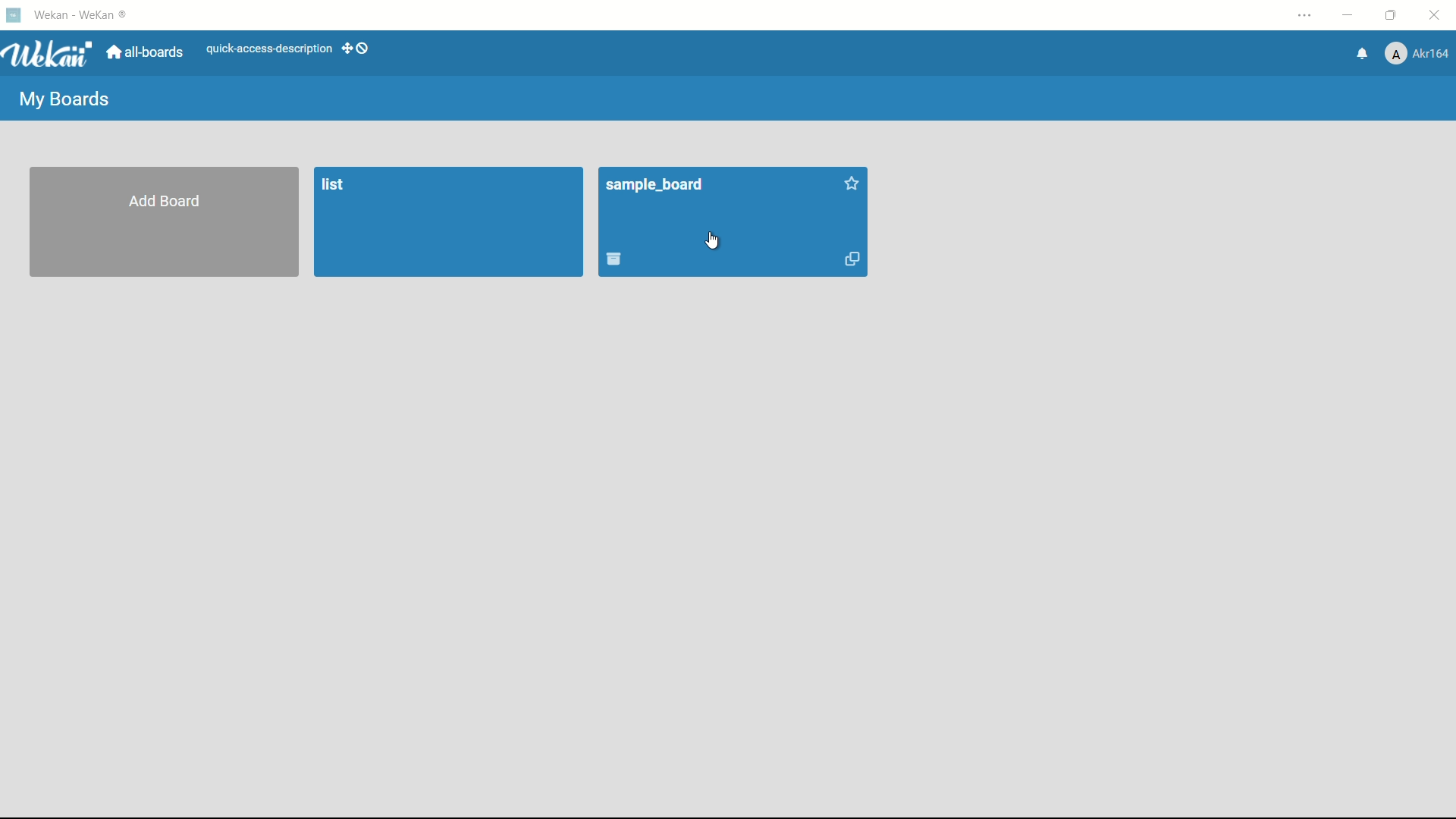 Image resolution: width=1456 pixels, height=819 pixels. I want to click on close app, so click(1437, 16).